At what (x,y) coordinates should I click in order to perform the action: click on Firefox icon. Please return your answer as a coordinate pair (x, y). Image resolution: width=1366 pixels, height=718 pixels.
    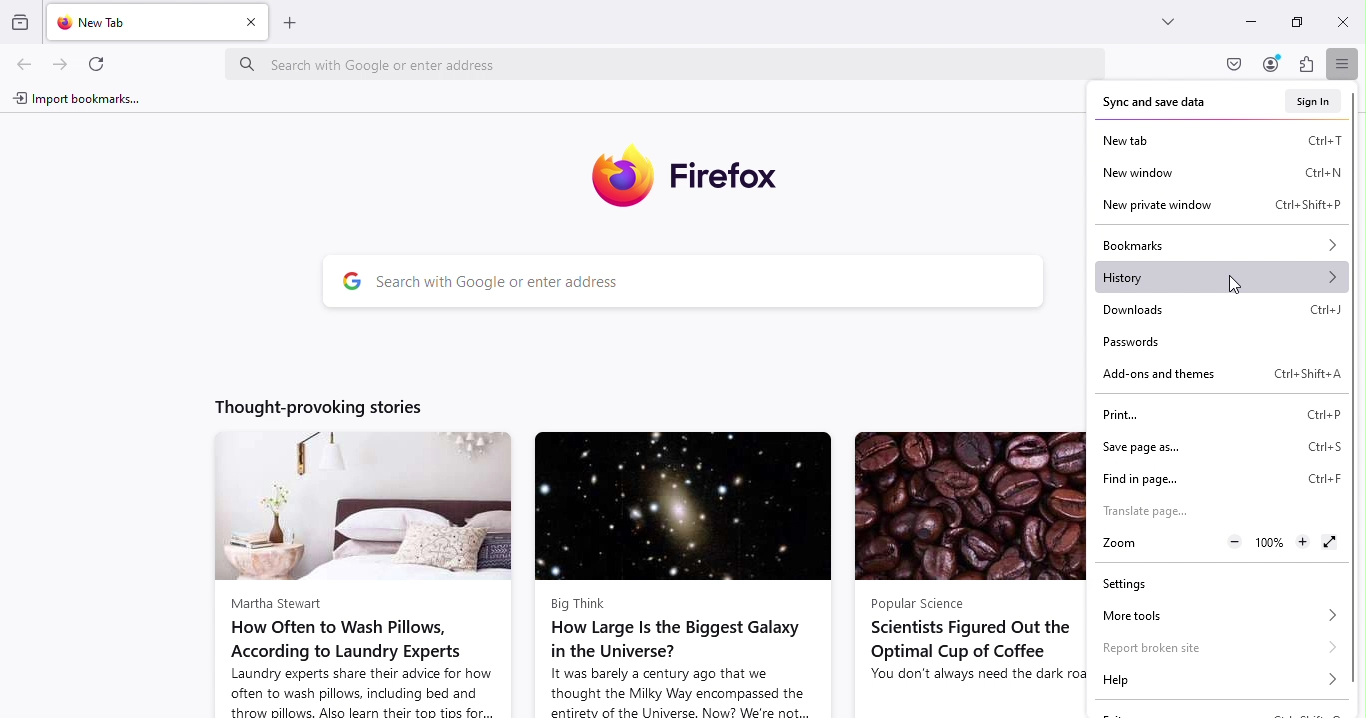
    Looking at the image, I should click on (691, 177).